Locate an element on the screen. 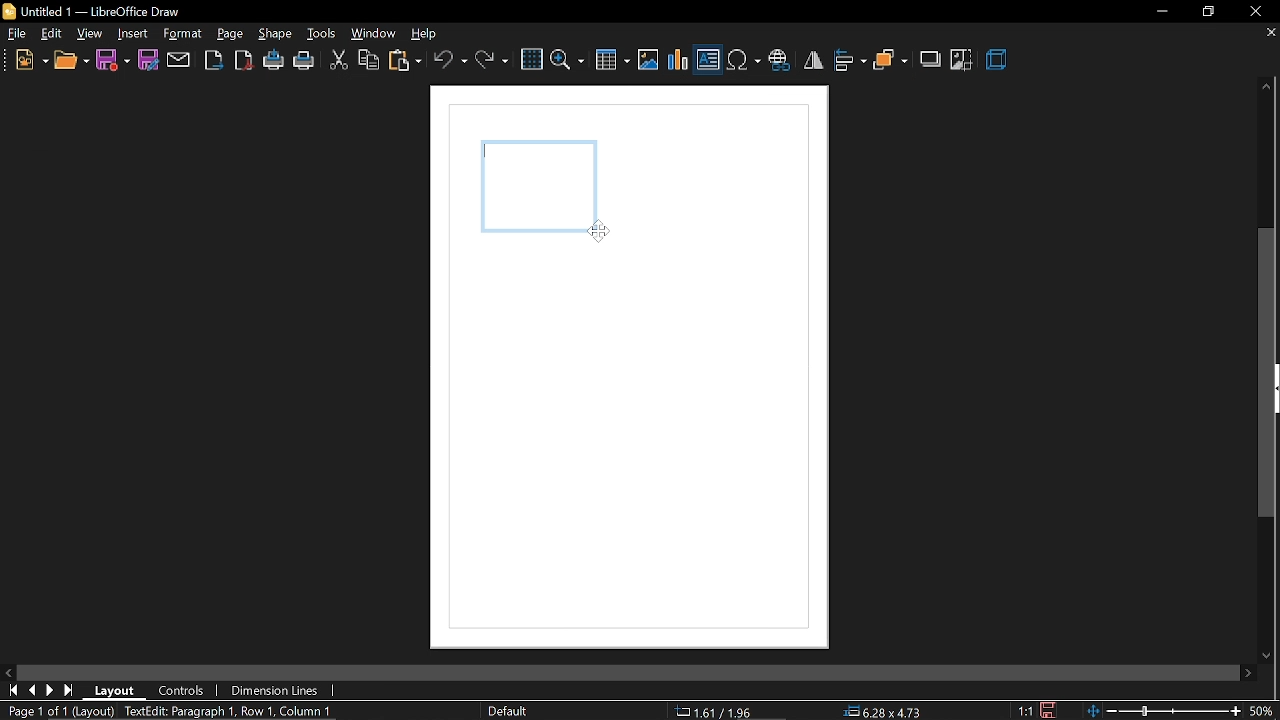 The width and height of the screenshot is (1280, 720). zoom is located at coordinates (568, 59).